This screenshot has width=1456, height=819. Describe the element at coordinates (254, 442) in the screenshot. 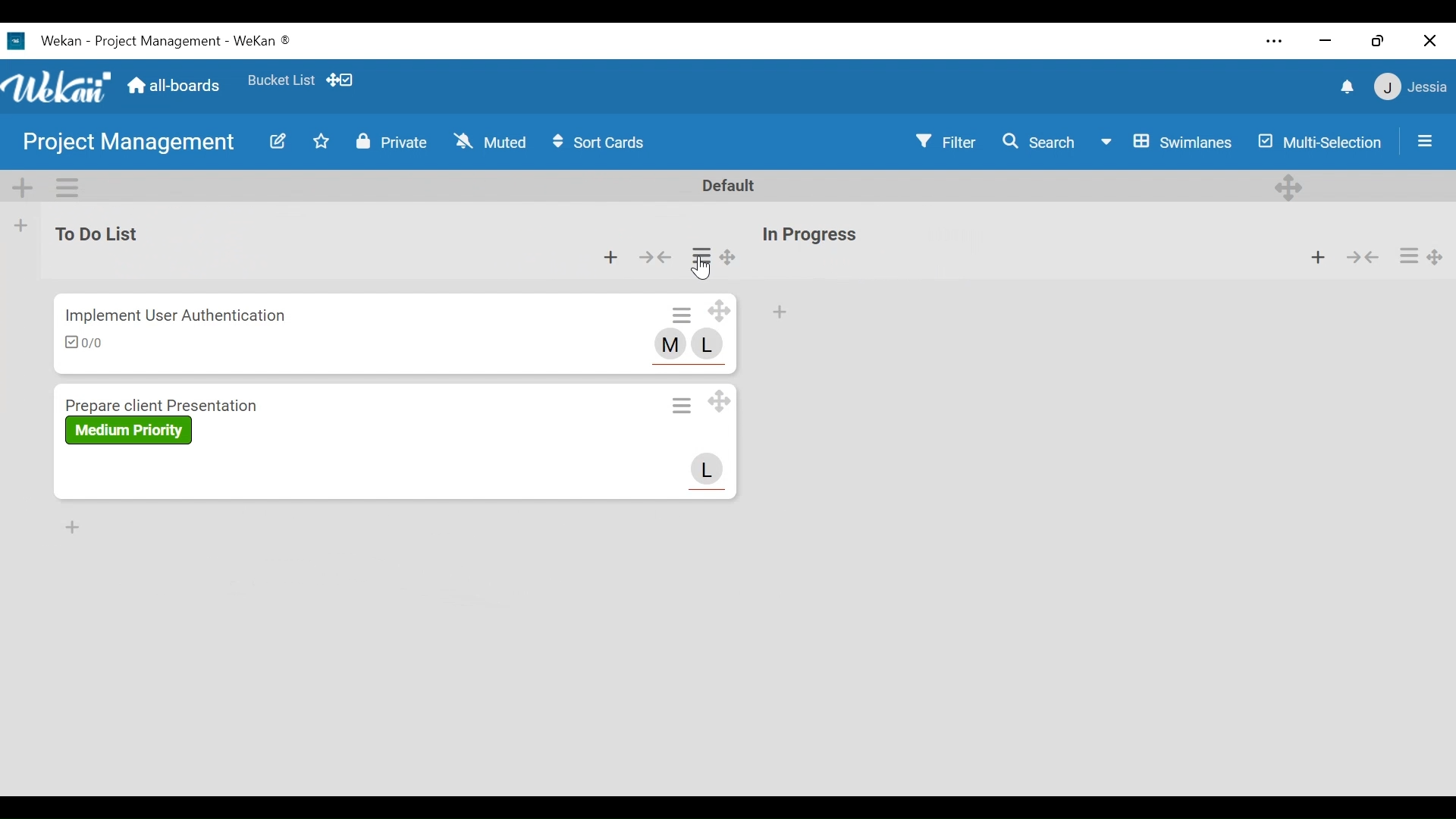

I see `Card` at that location.